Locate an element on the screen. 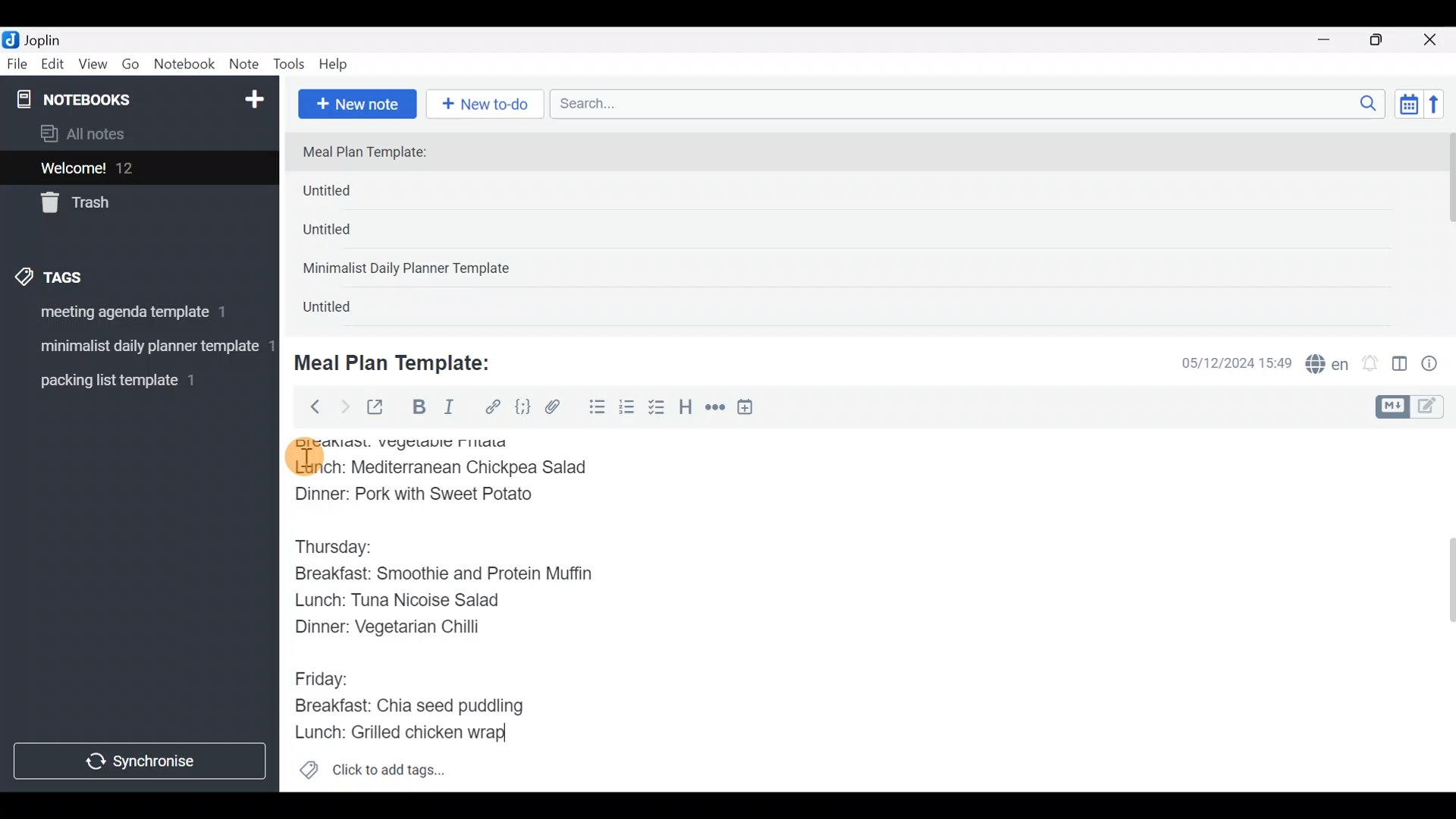 The width and height of the screenshot is (1456, 819). Untitled is located at coordinates (344, 310).